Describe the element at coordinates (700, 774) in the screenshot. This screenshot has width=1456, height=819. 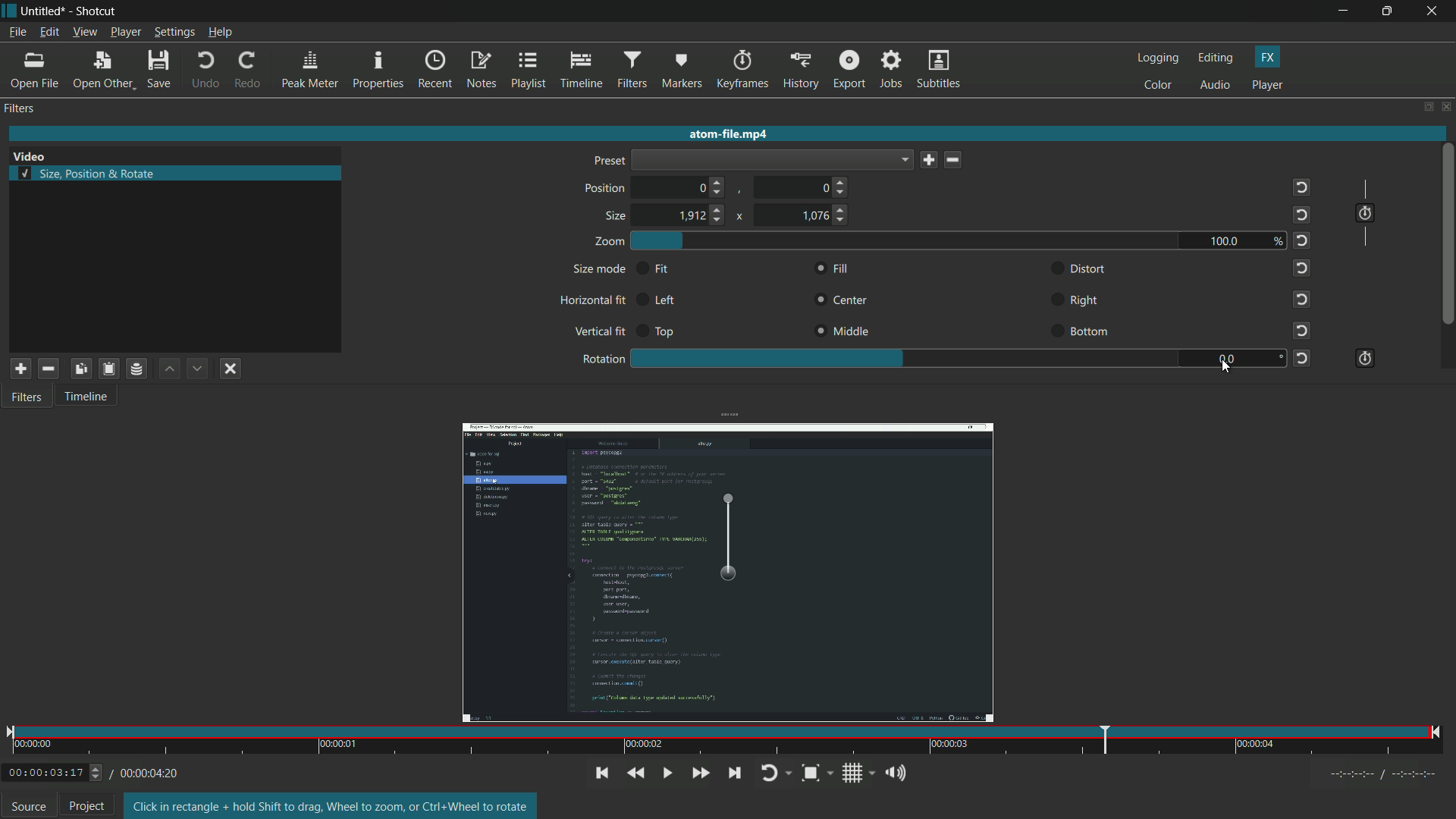
I see `quickly play forward` at that location.